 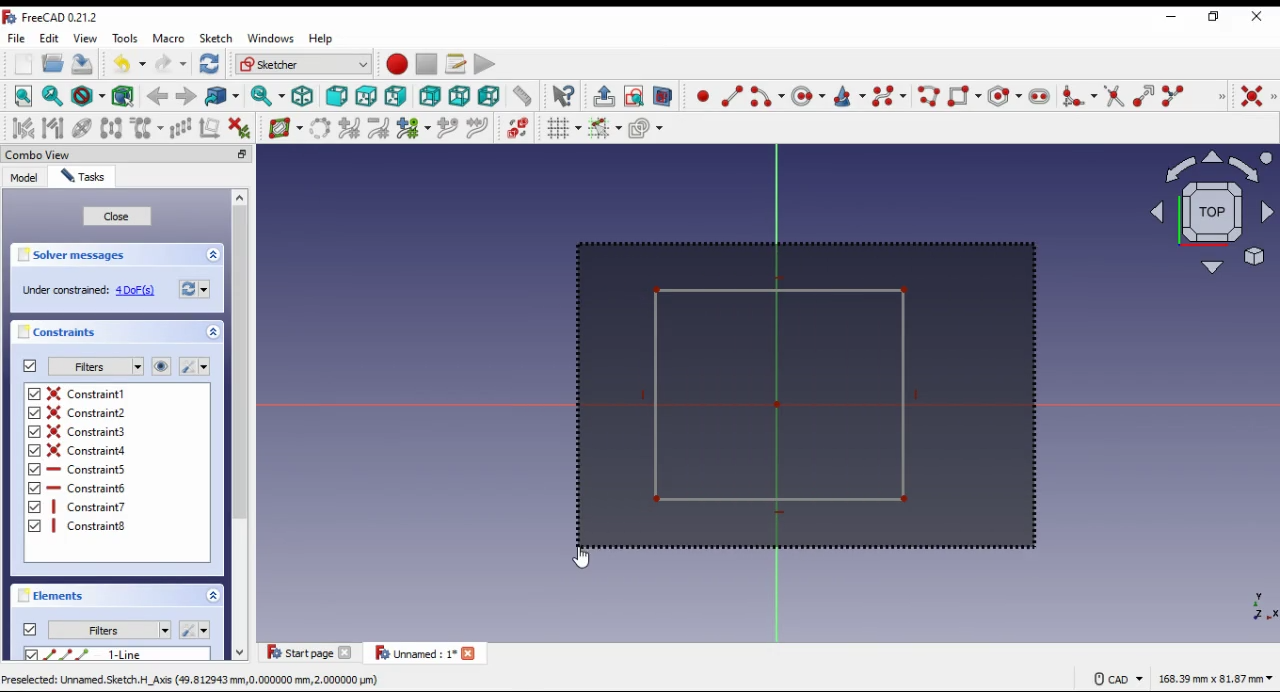 What do you see at coordinates (379, 128) in the screenshot?
I see `decrease bspline degree` at bounding box center [379, 128].